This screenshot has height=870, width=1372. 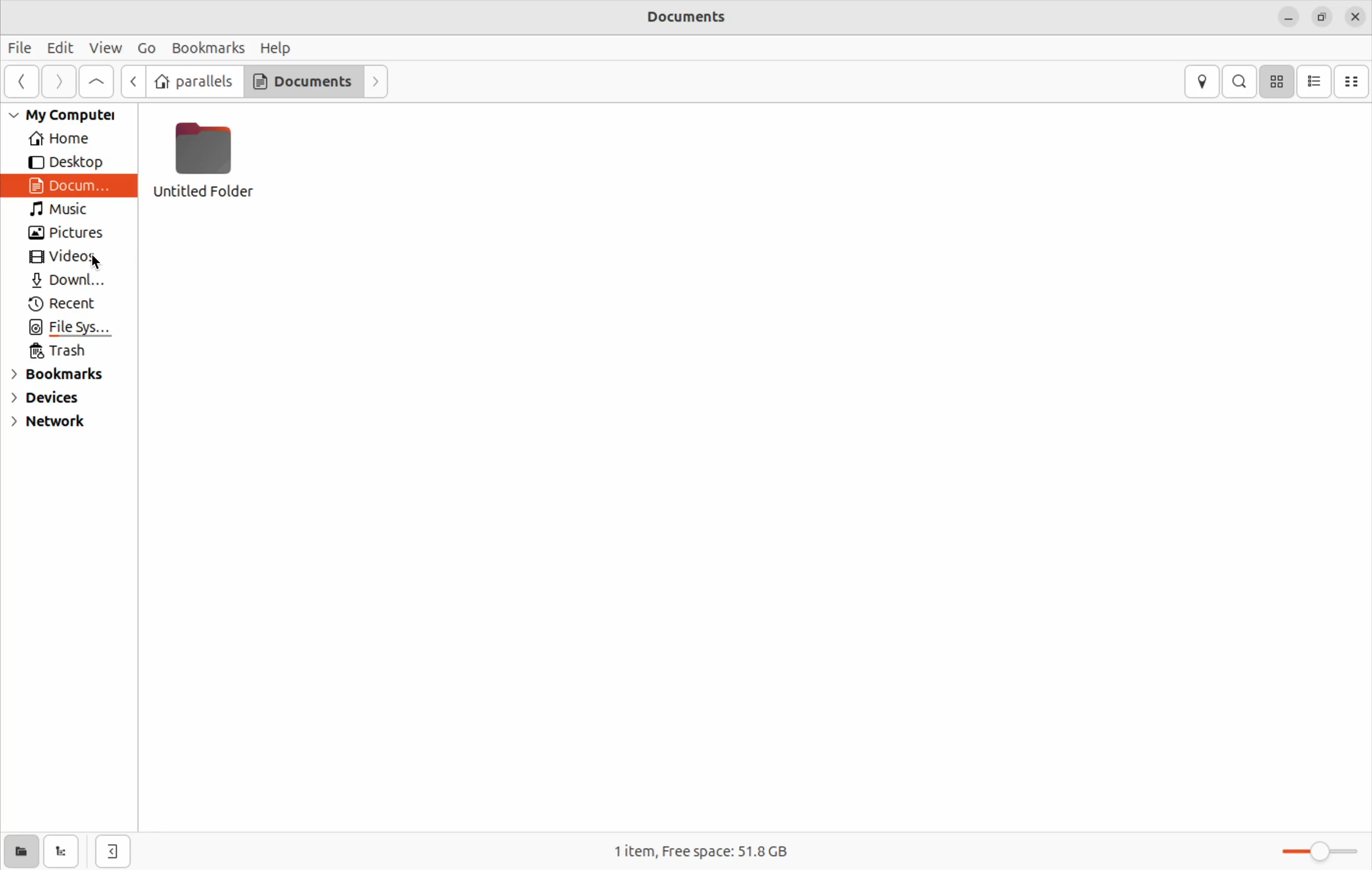 What do you see at coordinates (1319, 848) in the screenshot?
I see `toggle zoom` at bounding box center [1319, 848].